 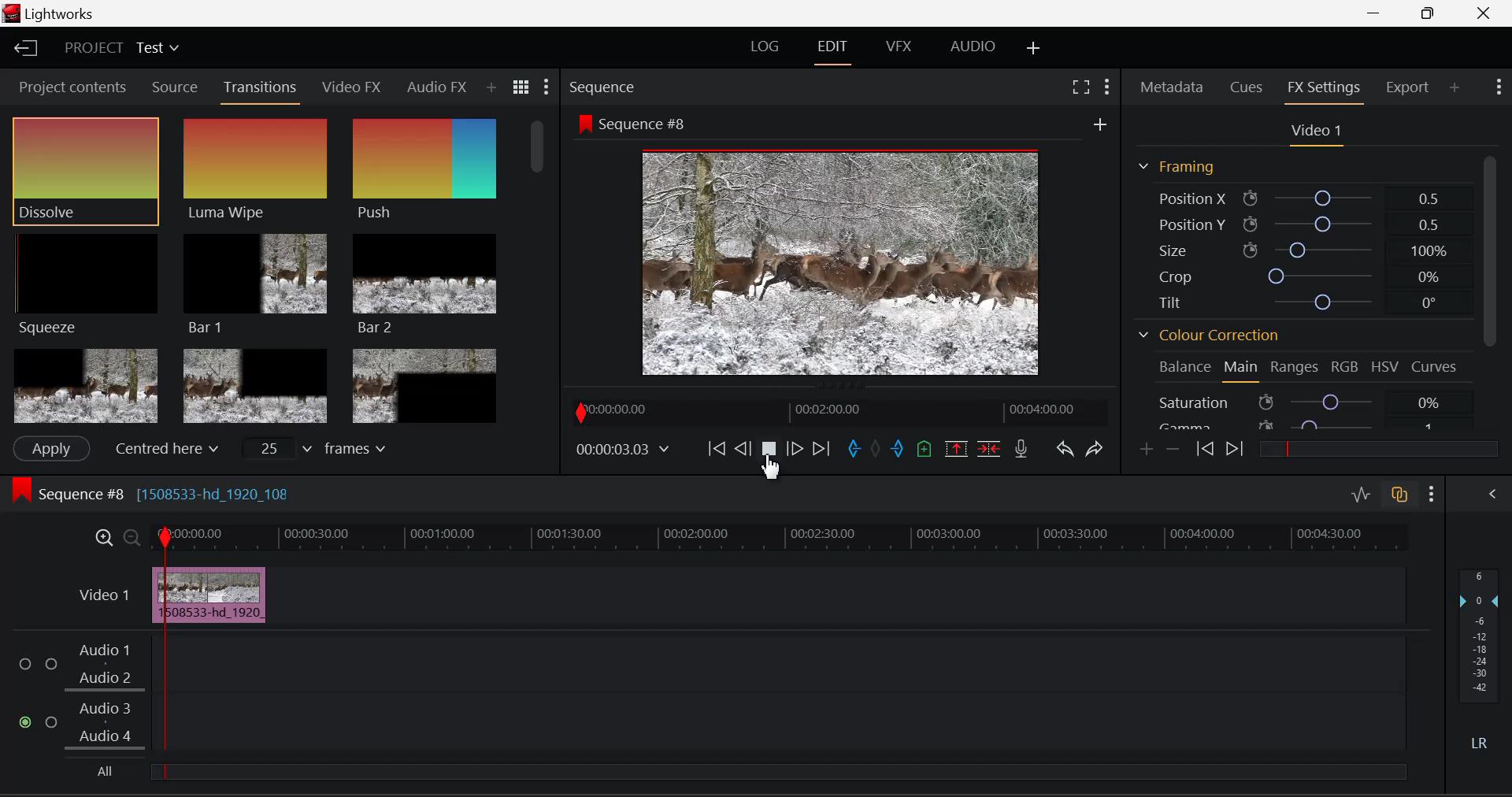 I want to click on Audio Input Checkbox, so click(x=27, y=723).